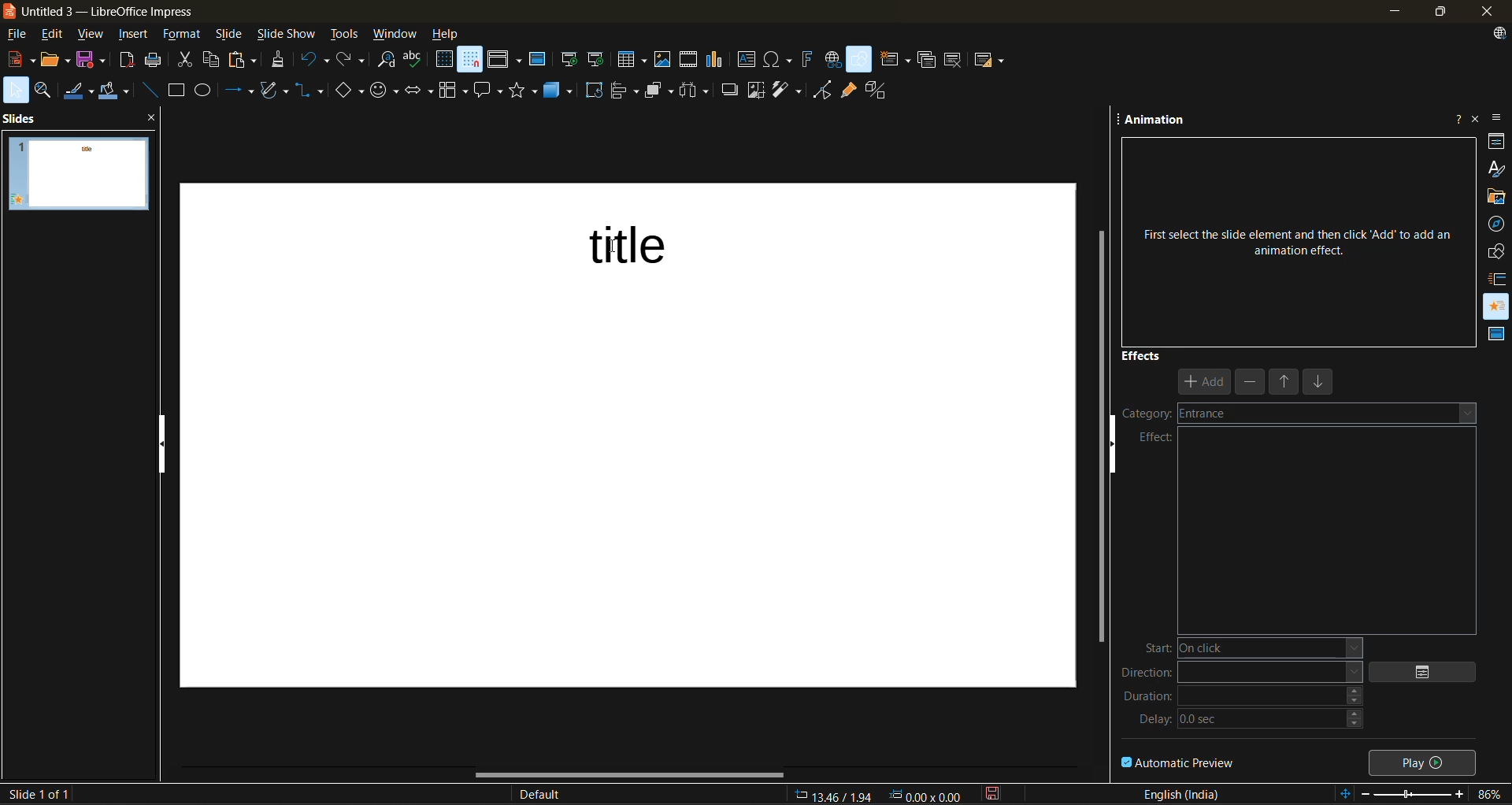 The height and width of the screenshot is (805, 1512). What do you see at coordinates (1179, 762) in the screenshot?
I see `automatic preview` at bounding box center [1179, 762].